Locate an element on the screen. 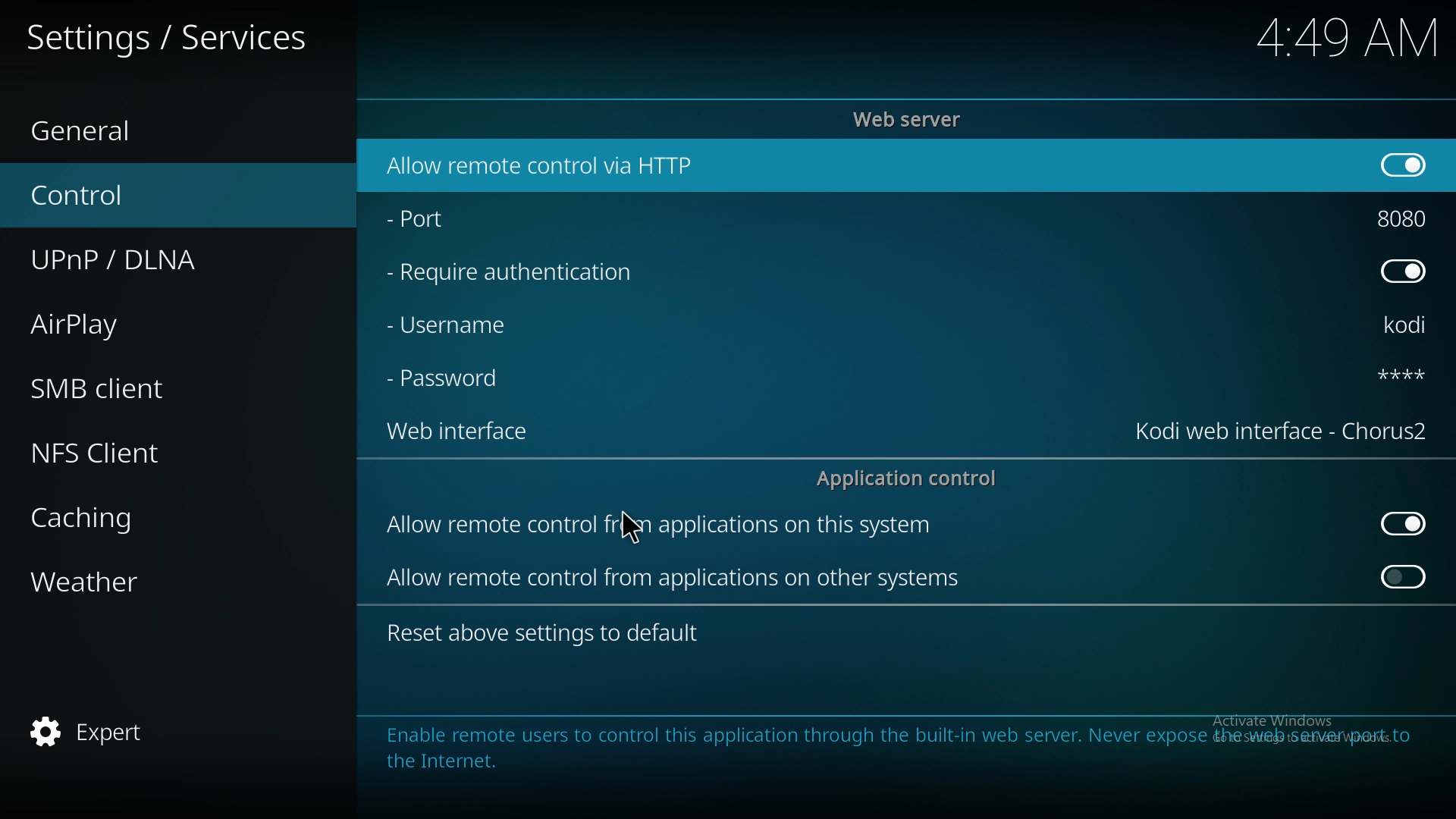  reset settings is located at coordinates (548, 632).